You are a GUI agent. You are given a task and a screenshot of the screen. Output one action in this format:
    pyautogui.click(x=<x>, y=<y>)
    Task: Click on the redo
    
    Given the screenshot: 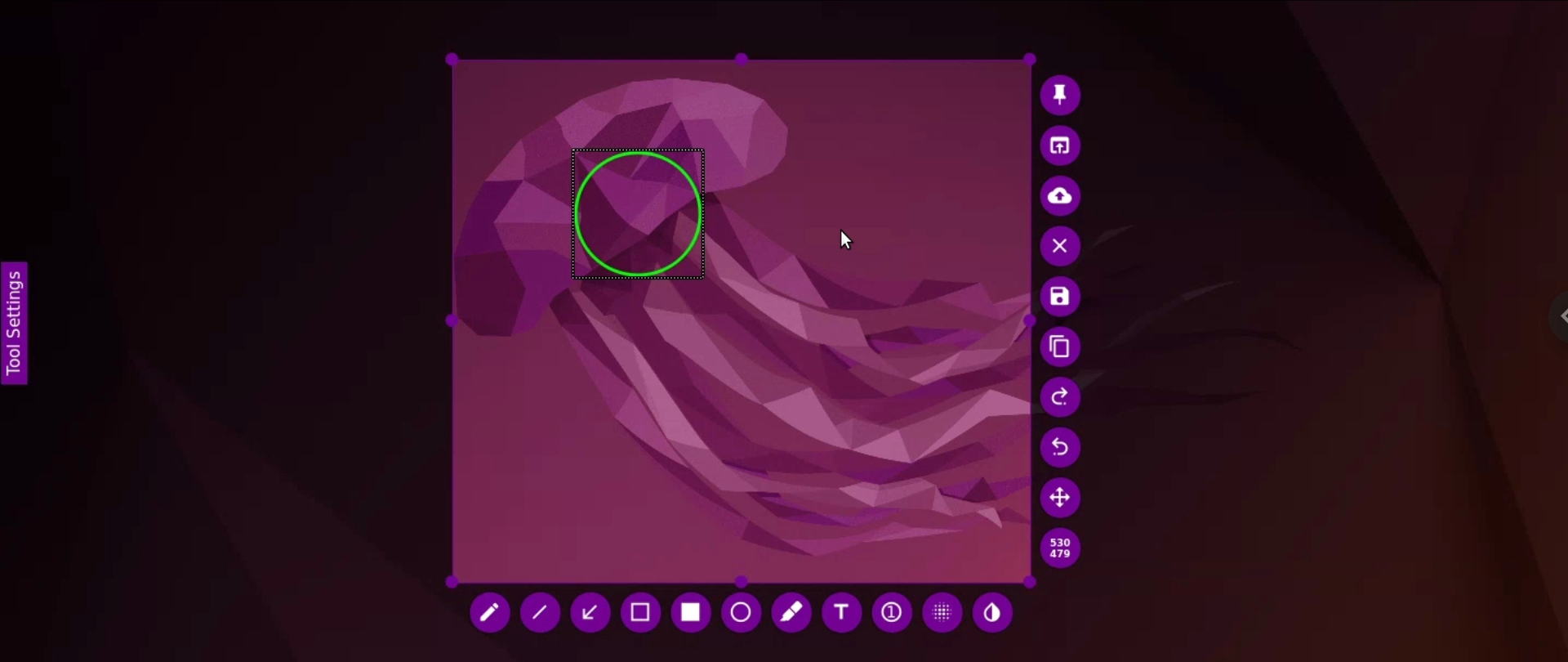 What is the action you would take?
    pyautogui.click(x=1060, y=445)
    